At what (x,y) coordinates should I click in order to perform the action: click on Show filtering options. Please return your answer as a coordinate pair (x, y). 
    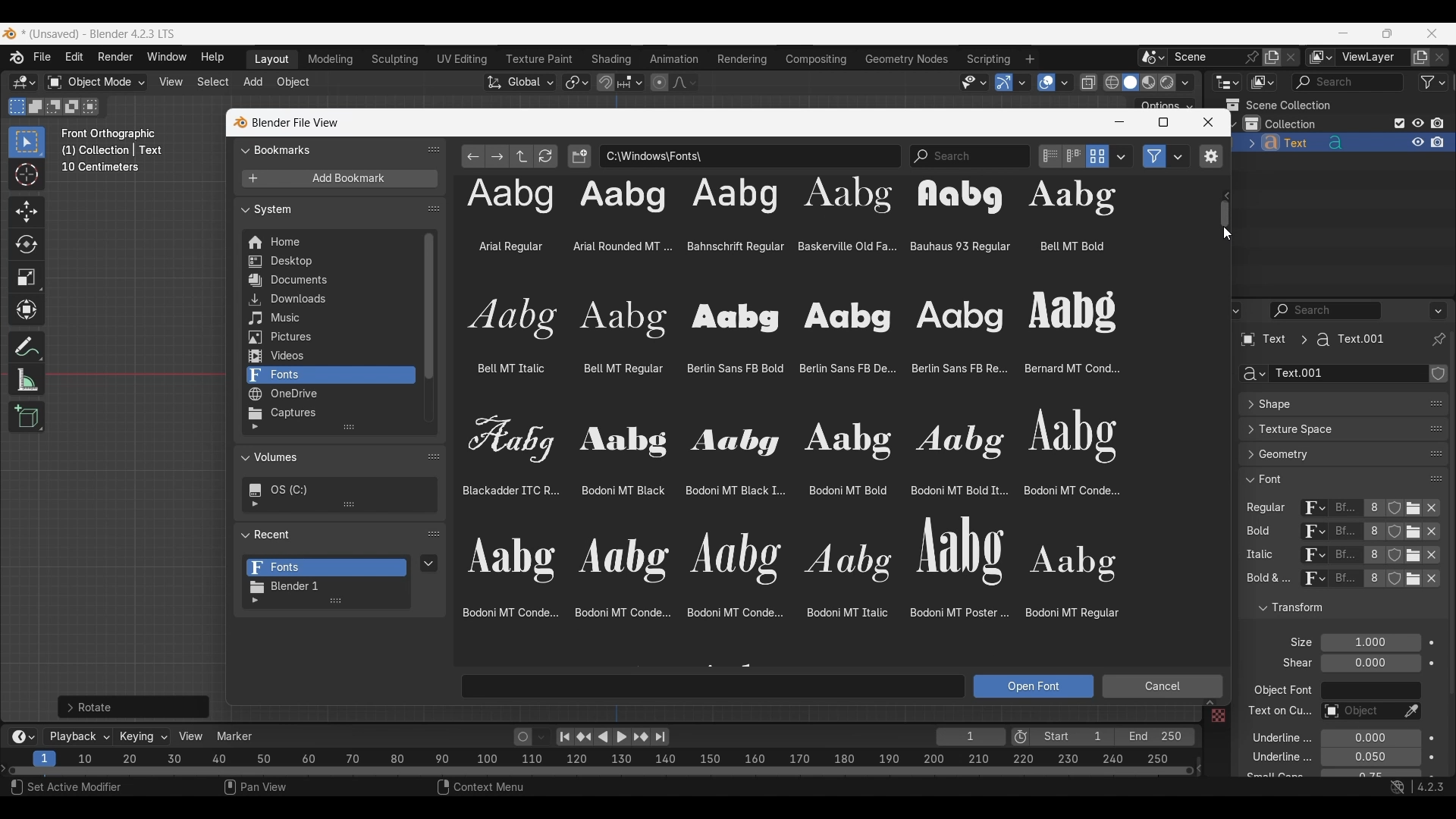
    Looking at the image, I should click on (255, 427).